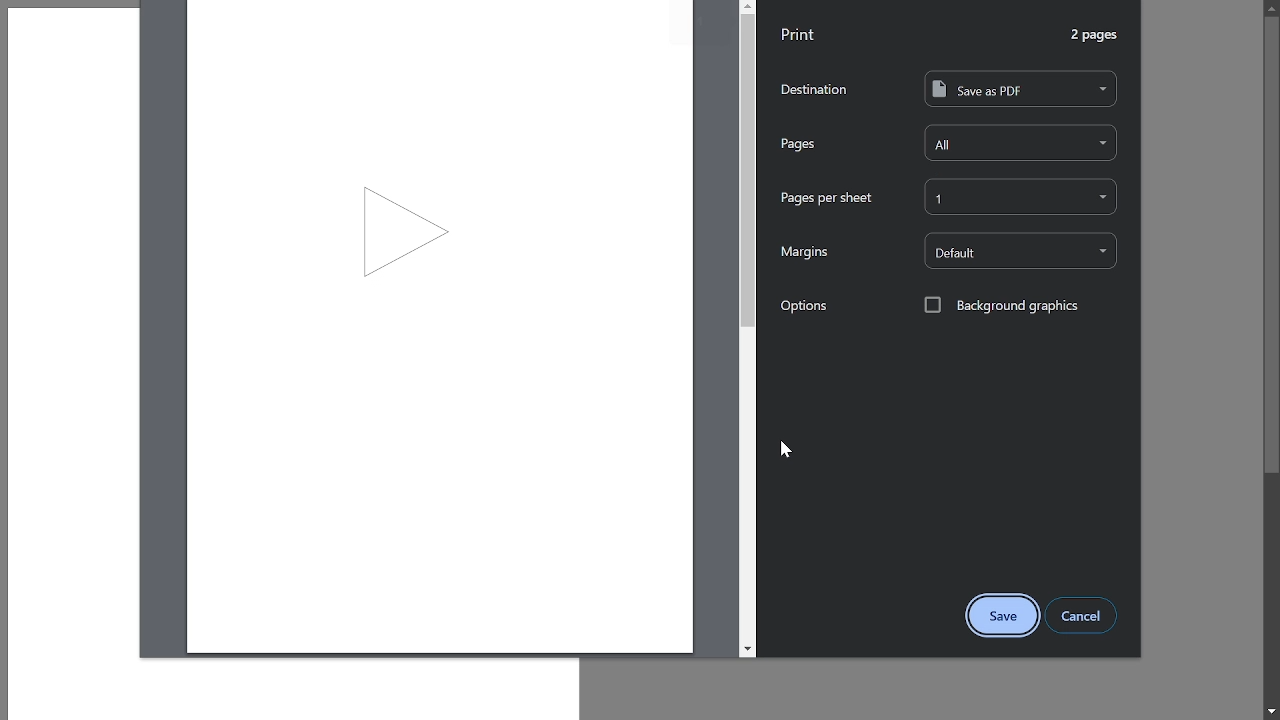  I want to click on Background graphics, so click(1002, 305).